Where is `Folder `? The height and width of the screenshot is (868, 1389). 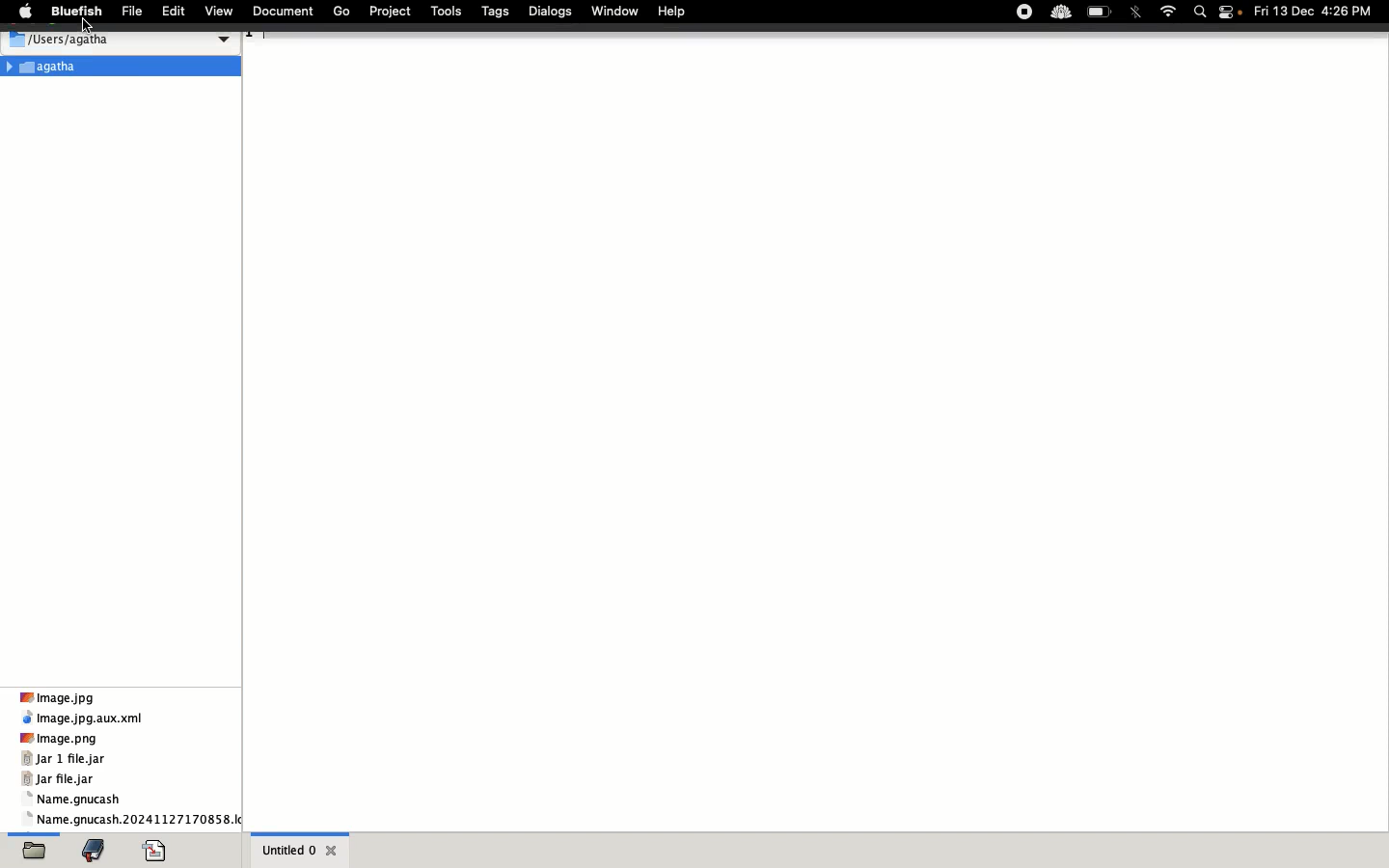 Folder  is located at coordinates (121, 68).